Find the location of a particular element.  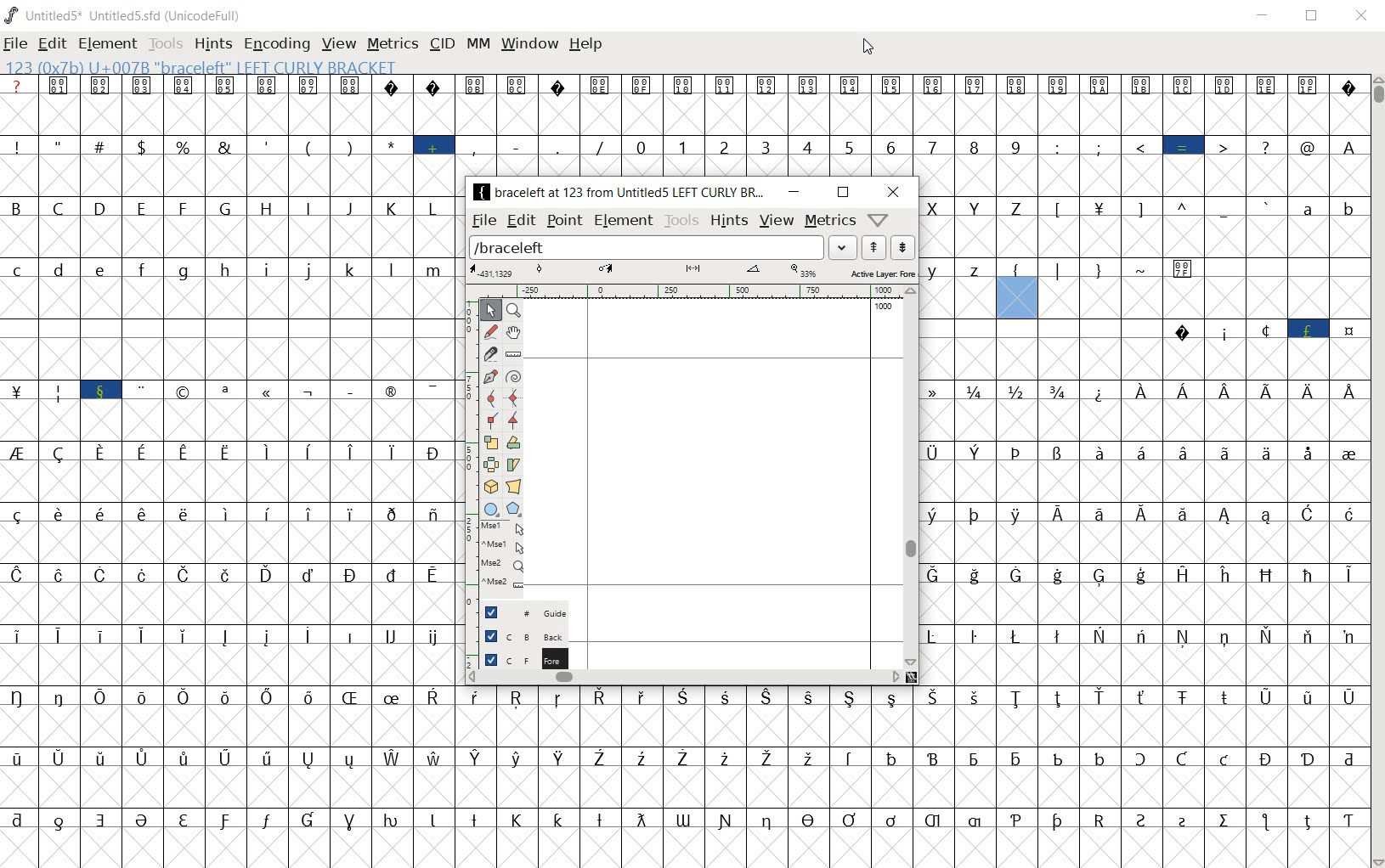

Element is located at coordinates (624, 221).